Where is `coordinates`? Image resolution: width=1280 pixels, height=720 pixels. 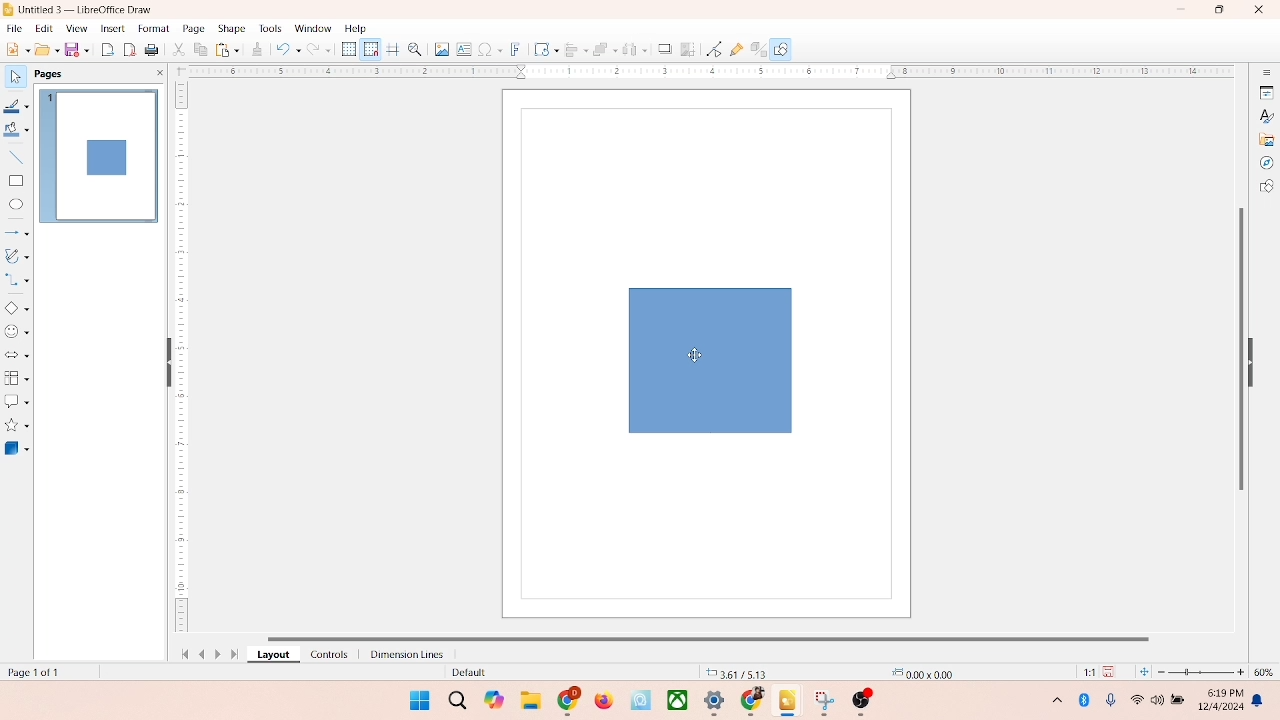 coordinates is located at coordinates (737, 671).